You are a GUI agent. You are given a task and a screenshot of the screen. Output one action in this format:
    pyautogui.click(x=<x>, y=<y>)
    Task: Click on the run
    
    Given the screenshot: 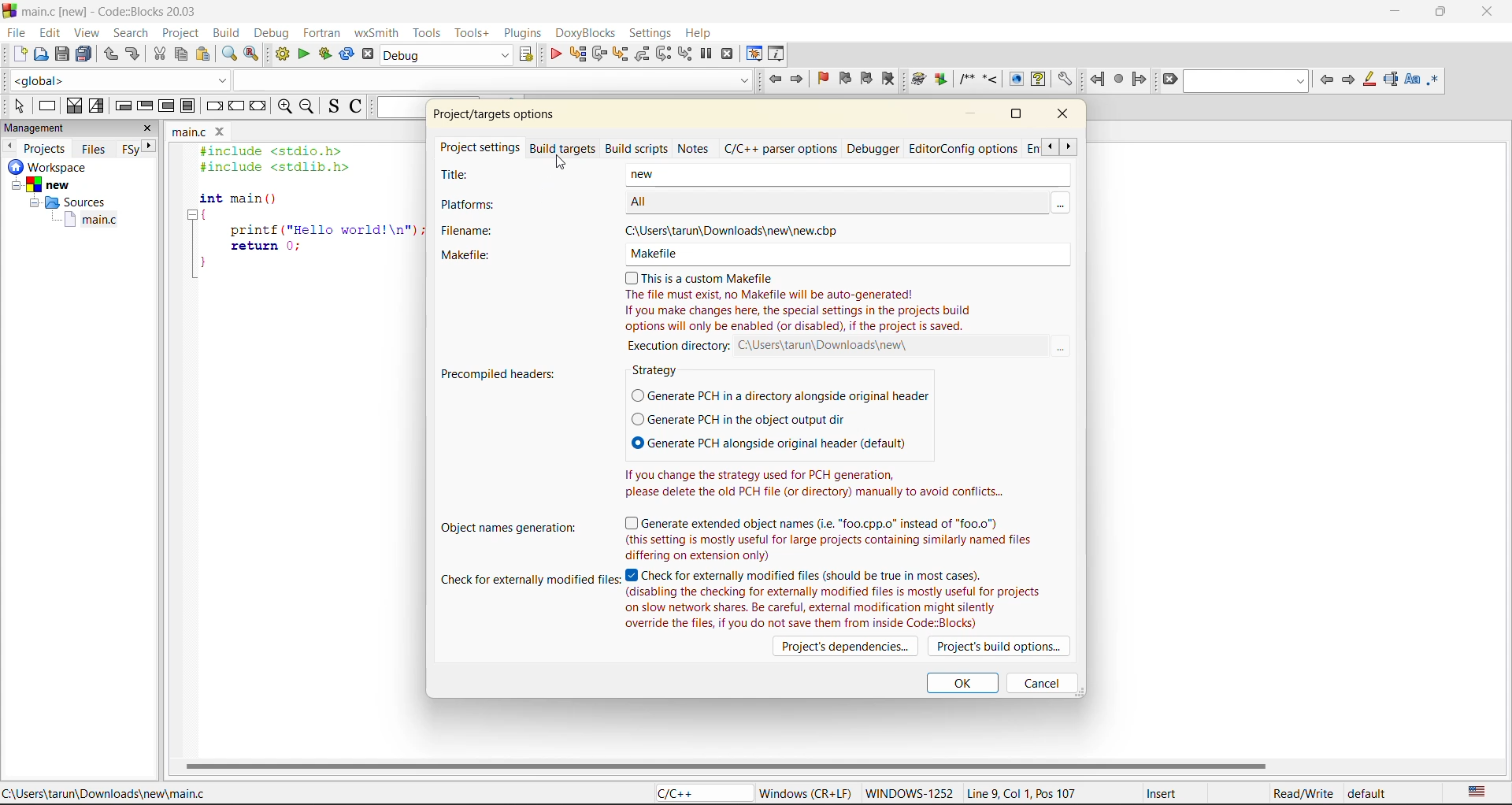 What is the action you would take?
    pyautogui.click(x=305, y=53)
    